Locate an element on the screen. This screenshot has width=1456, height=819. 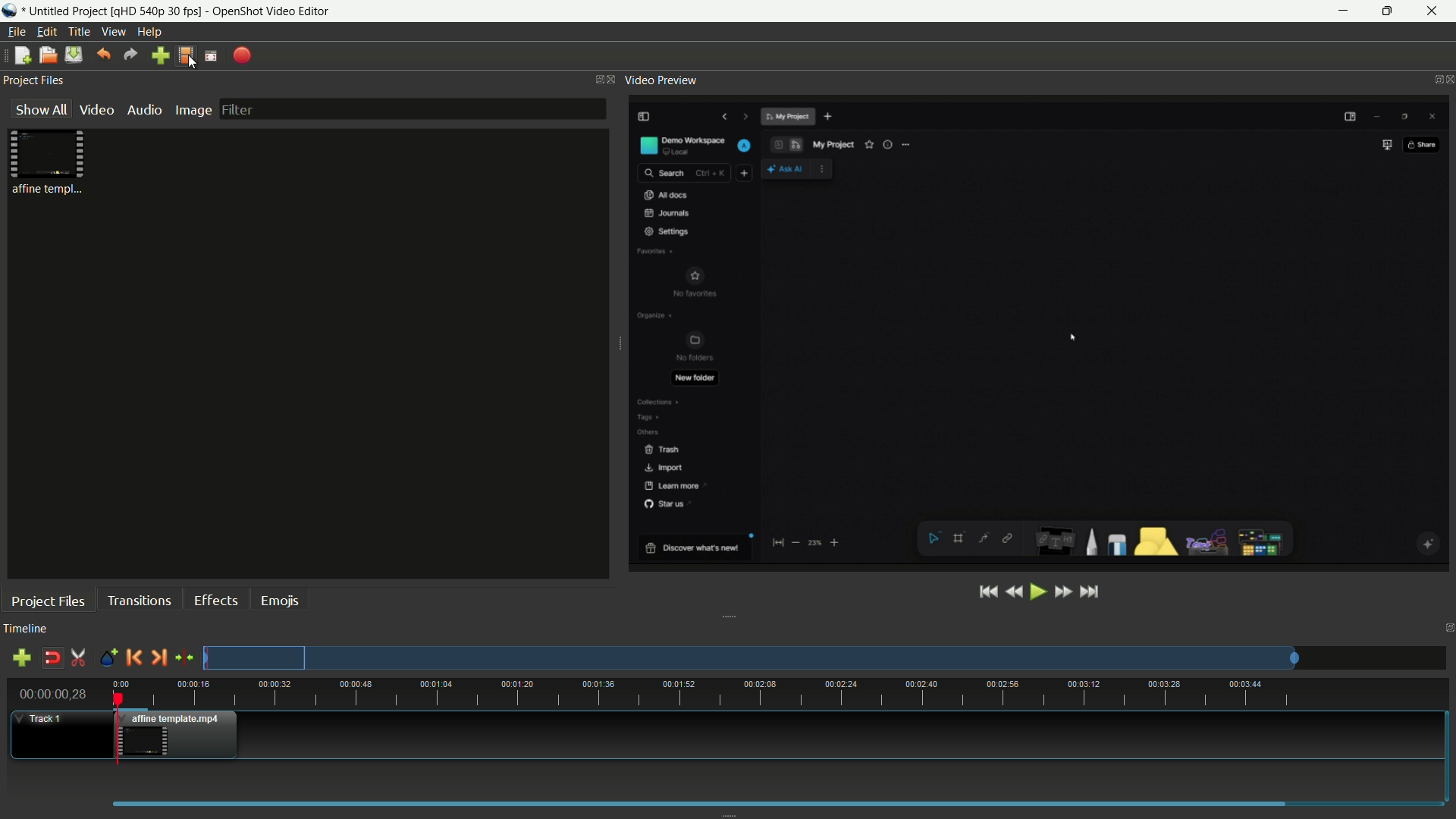
disable snap is located at coordinates (52, 657).